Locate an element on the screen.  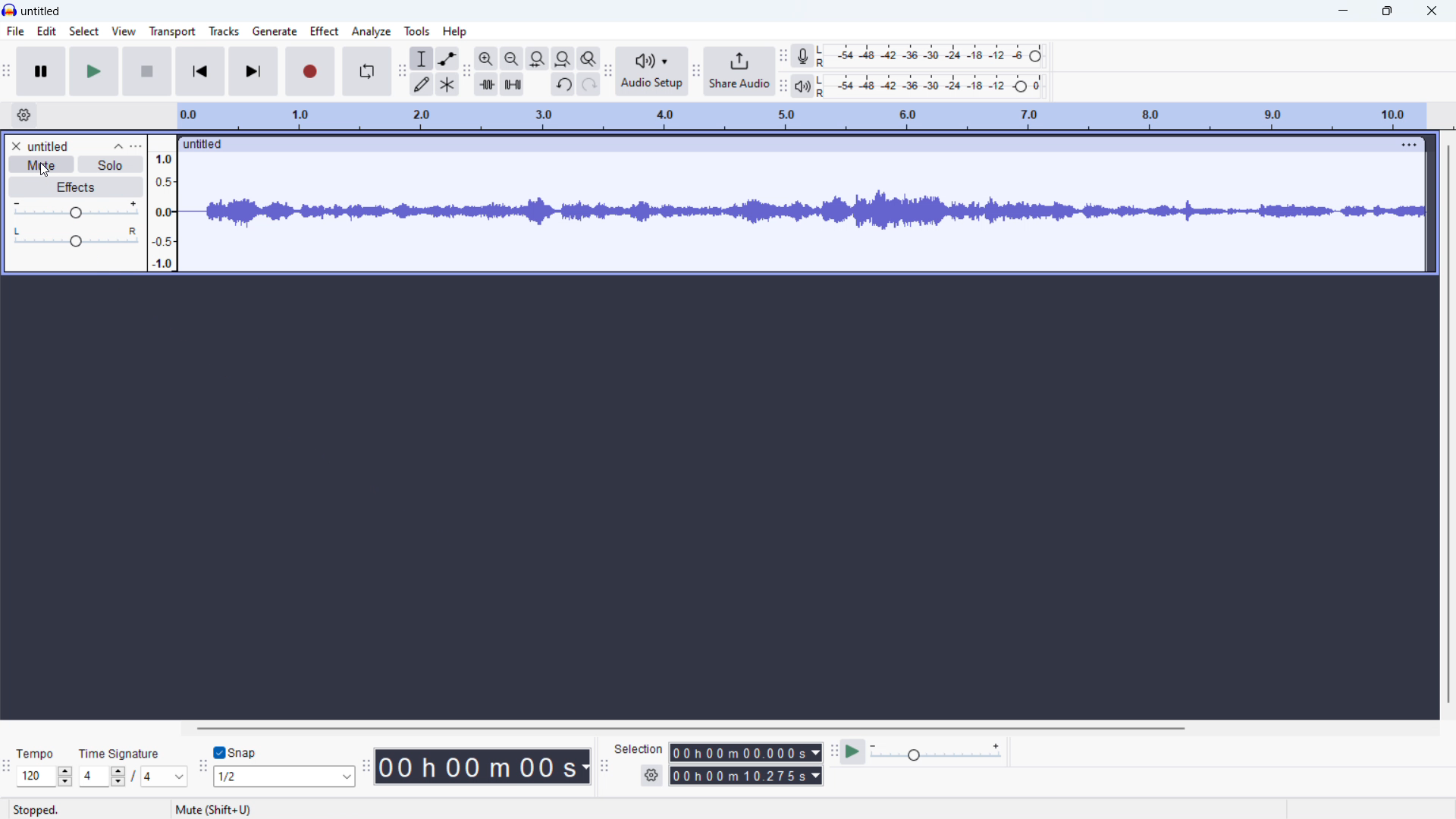
track options is located at coordinates (1401, 145).